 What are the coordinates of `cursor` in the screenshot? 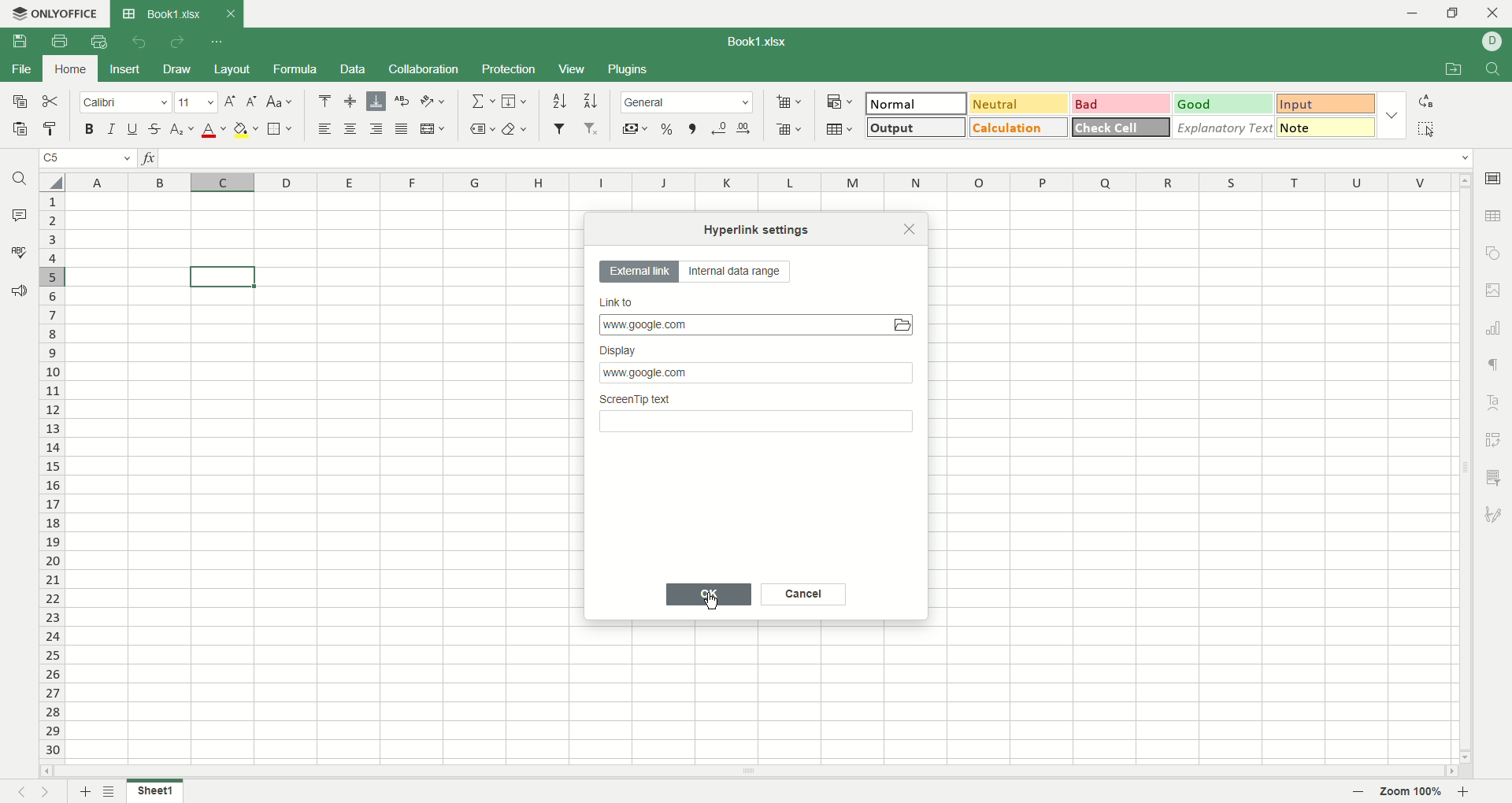 It's located at (712, 604).